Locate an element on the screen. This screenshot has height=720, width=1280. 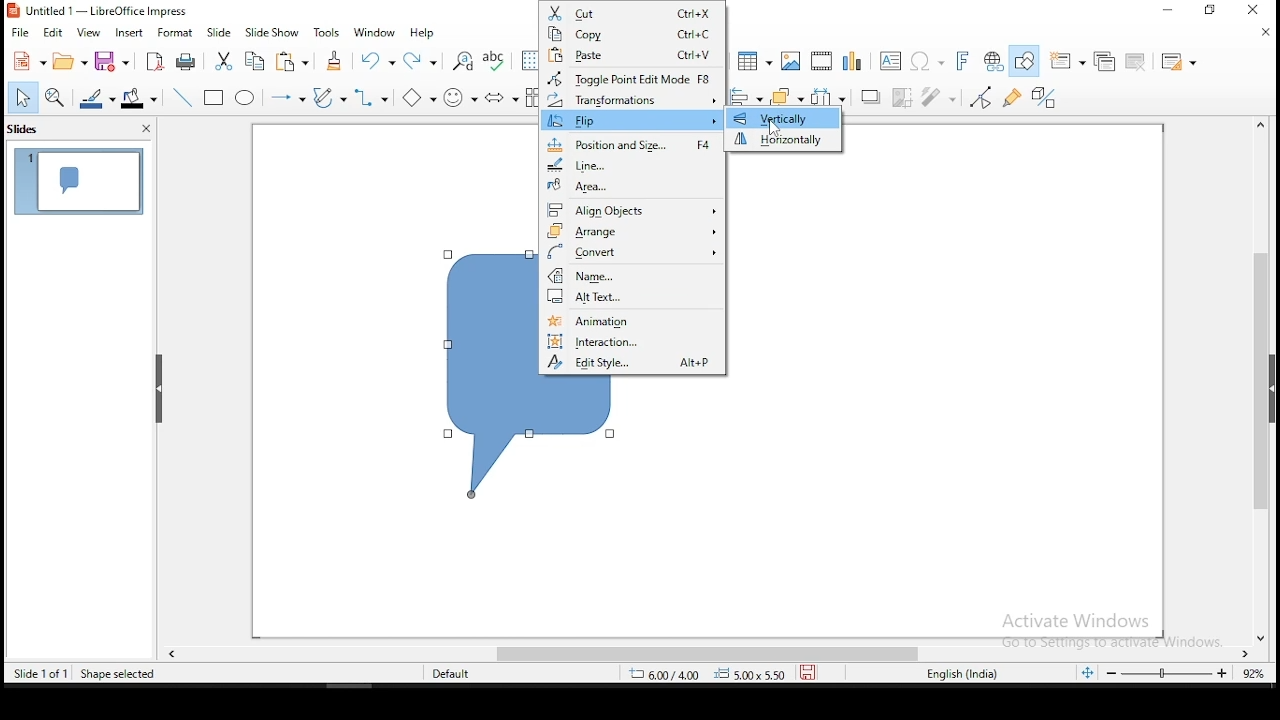
open is located at coordinates (69, 61).